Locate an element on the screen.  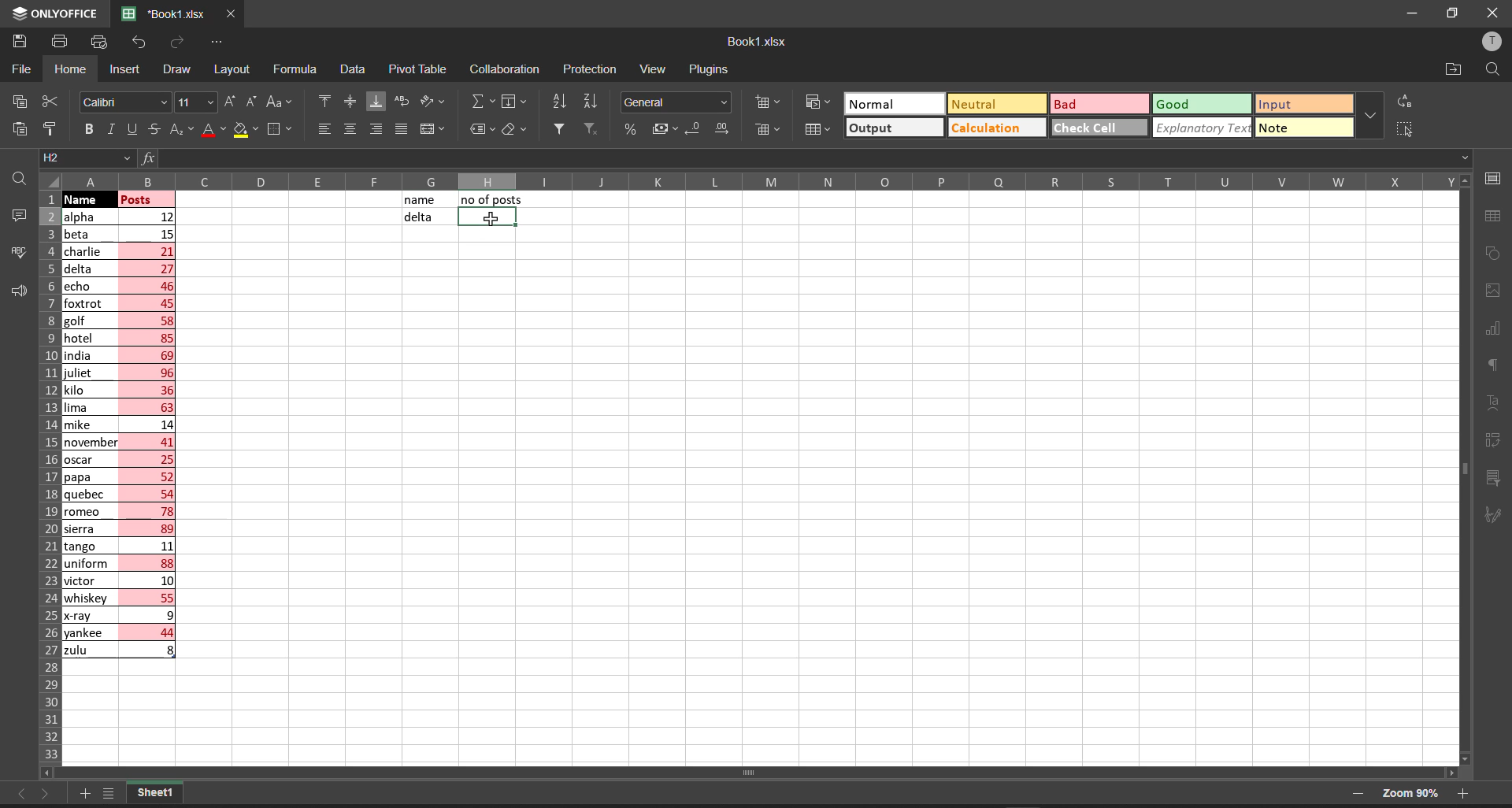
chart settings is located at coordinates (1499, 329).